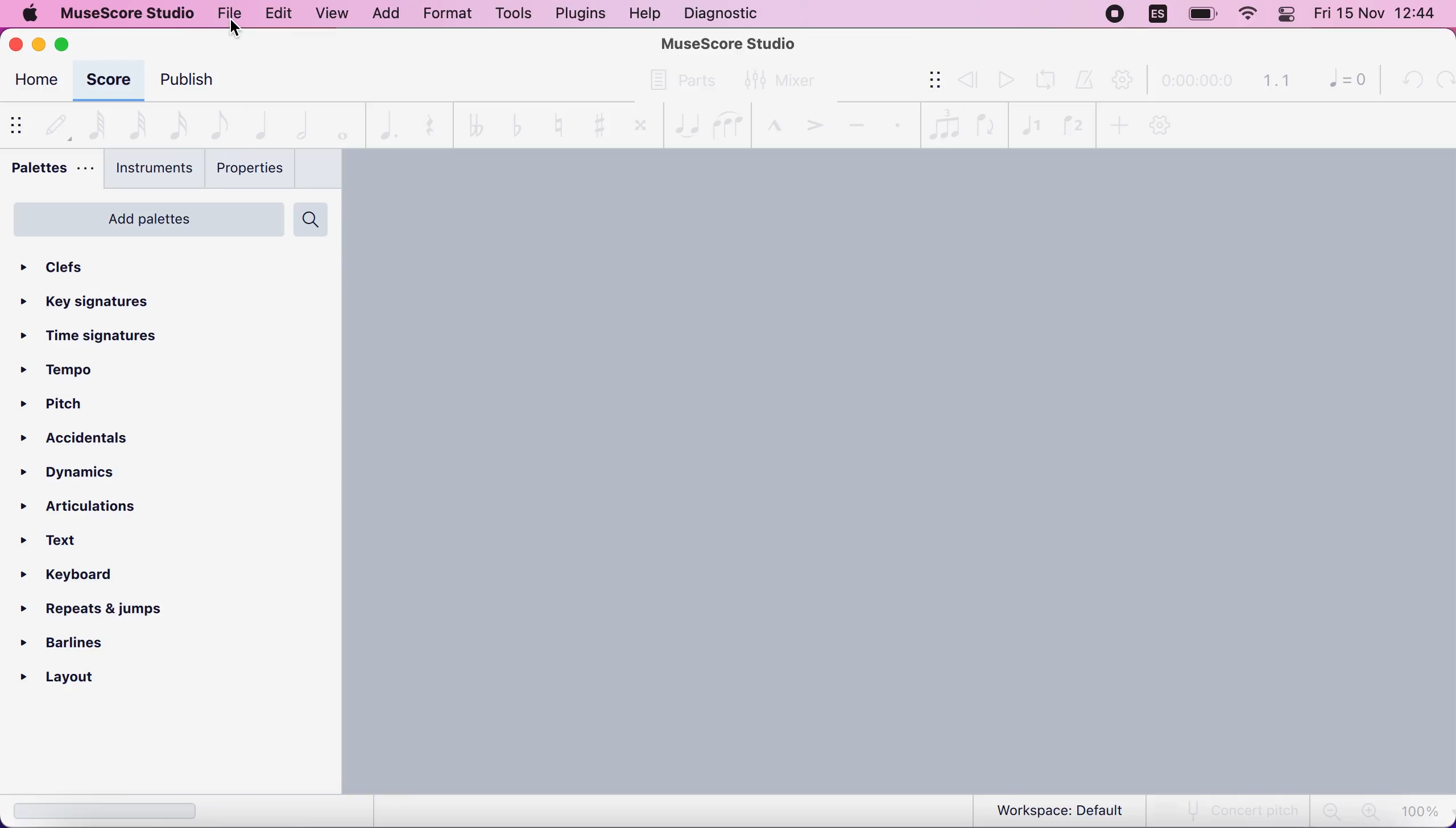 This screenshot has height=828, width=1456. I want to click on add, so click(1118, 124).